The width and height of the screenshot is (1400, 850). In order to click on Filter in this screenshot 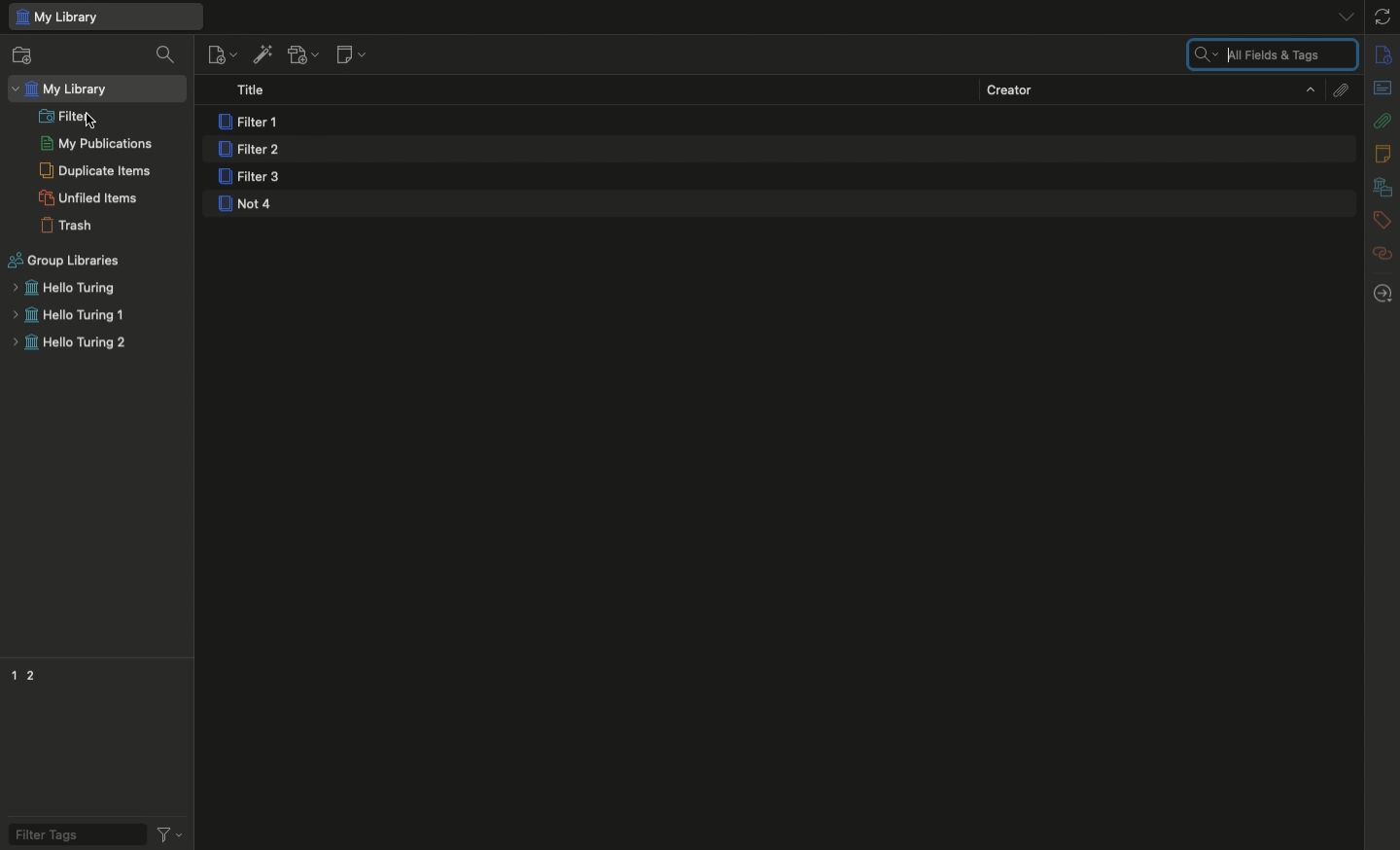, I will do `click(65, 115)`.